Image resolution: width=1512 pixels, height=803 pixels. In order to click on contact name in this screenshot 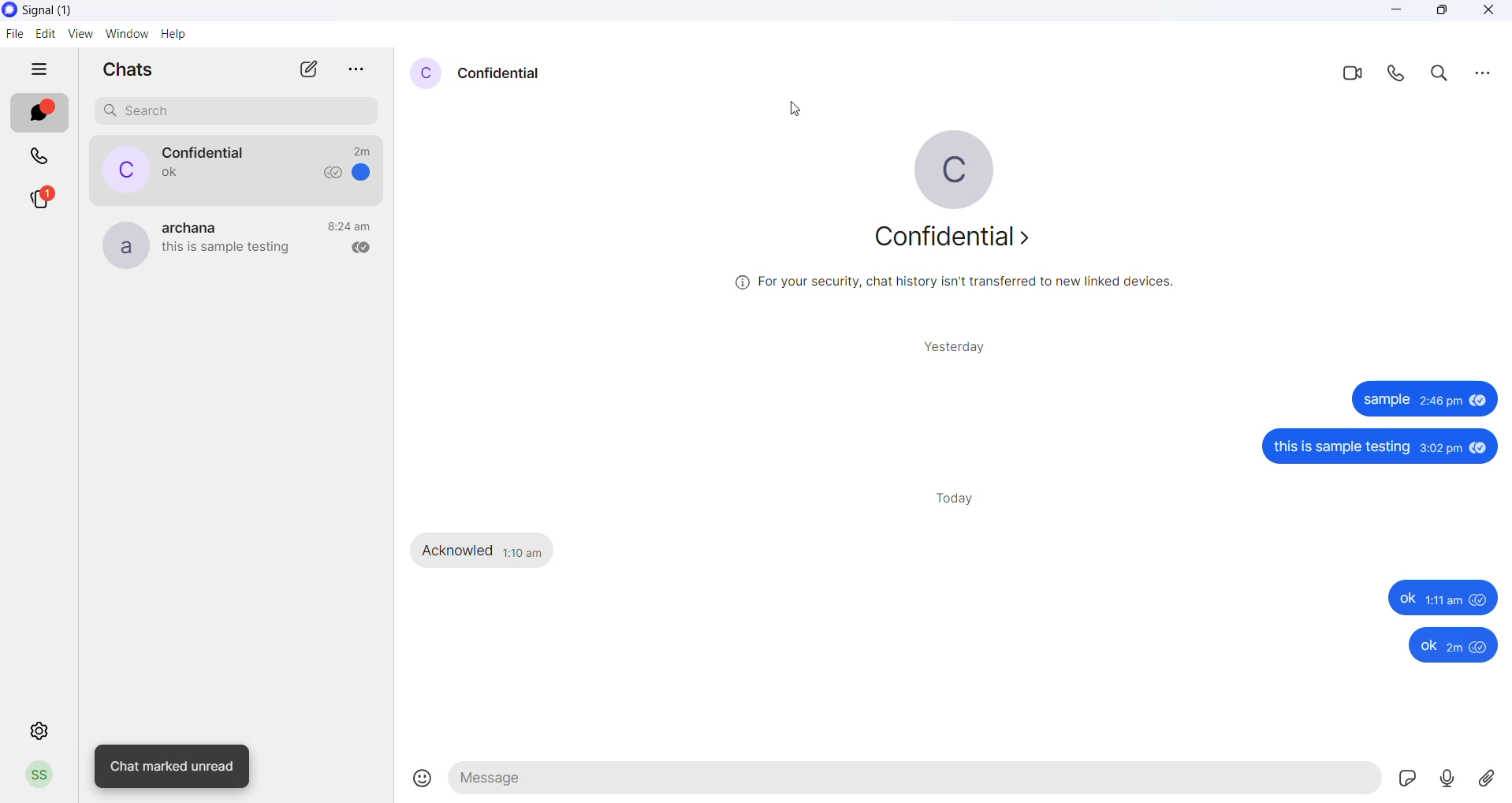, I will do `click(206, 152)`.